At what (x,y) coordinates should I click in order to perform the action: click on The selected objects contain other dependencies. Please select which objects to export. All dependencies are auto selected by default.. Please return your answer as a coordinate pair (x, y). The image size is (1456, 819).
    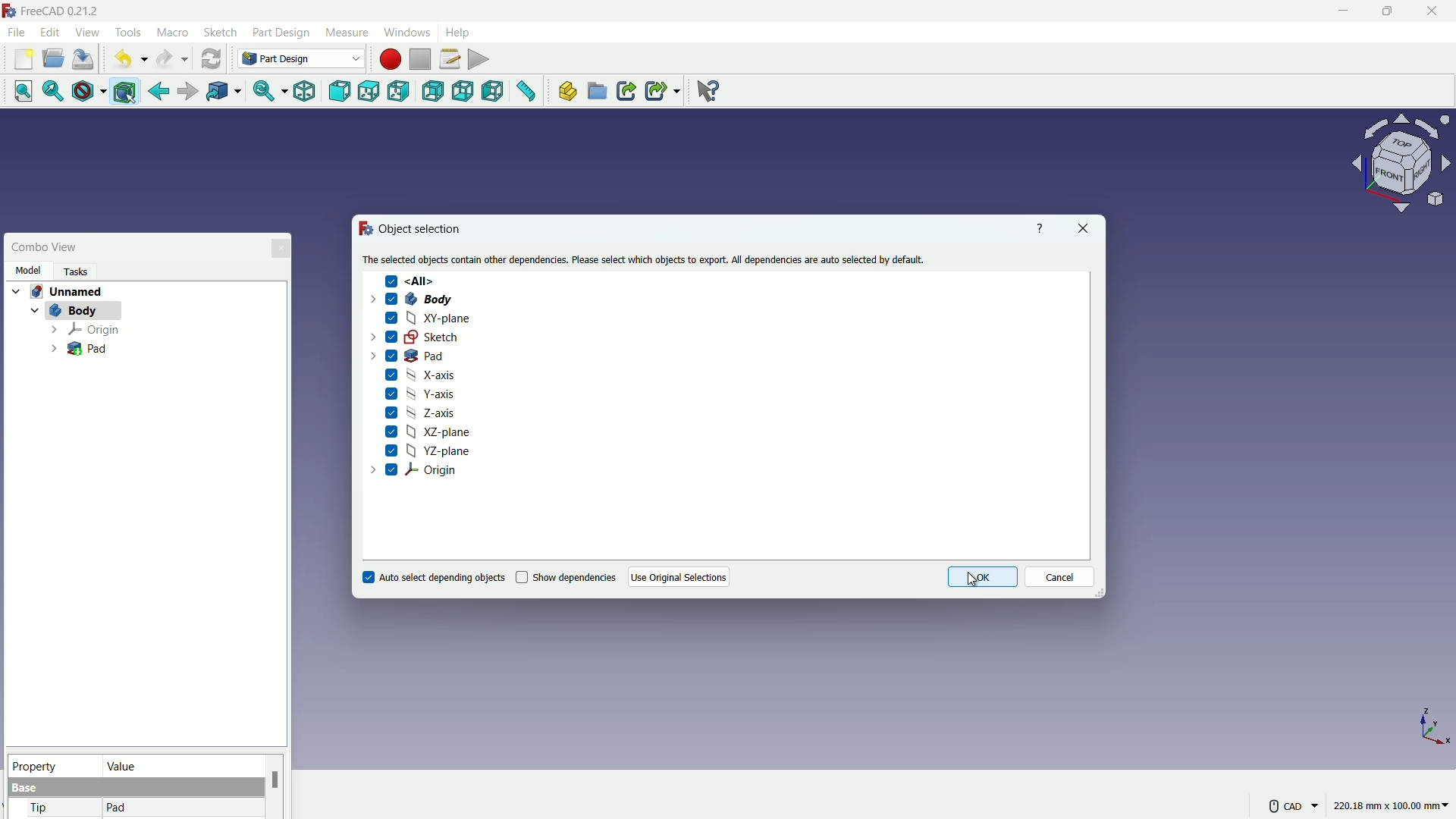
    Looking at the image, I should click on (645, 260).